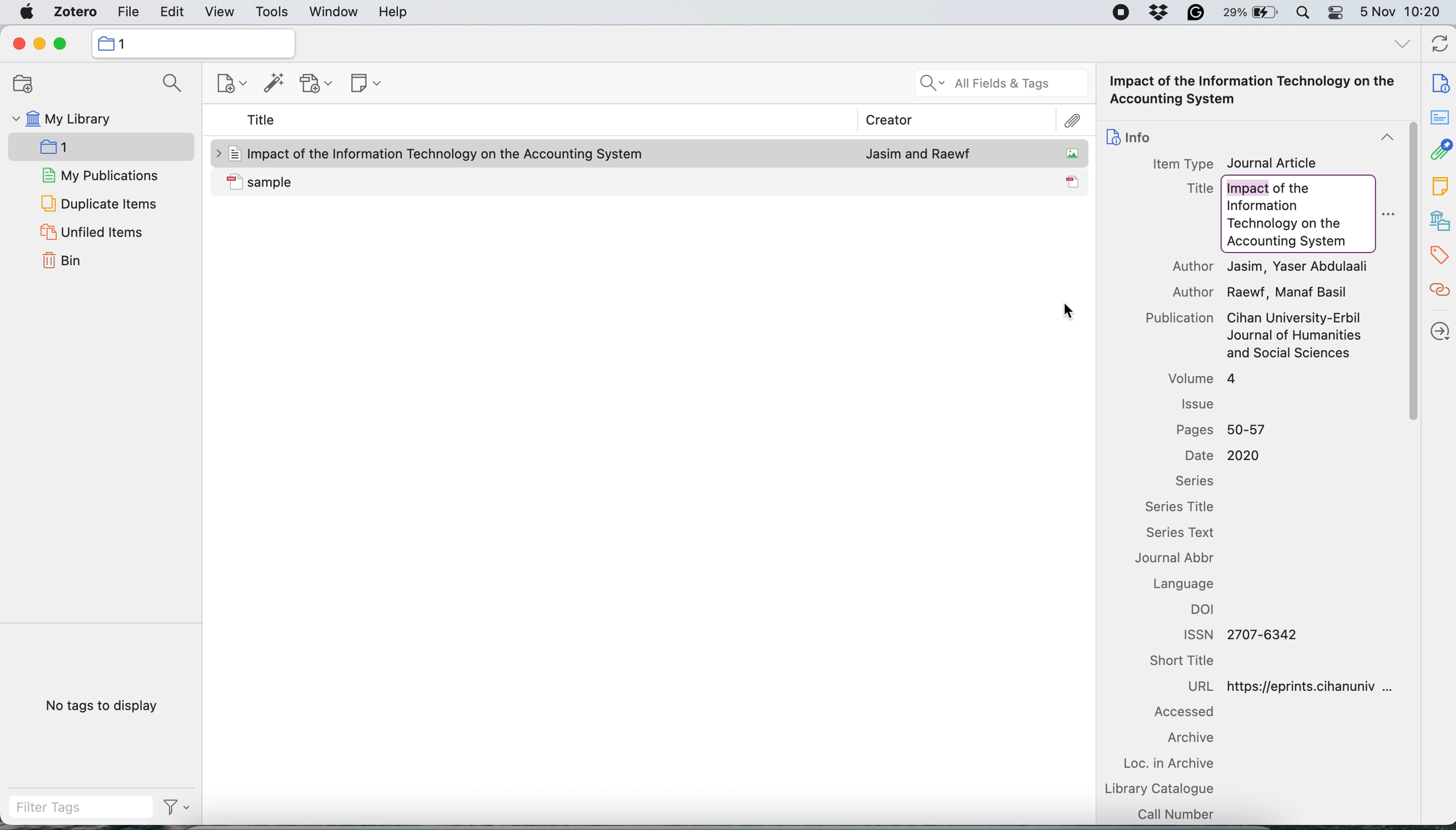  I want to click on icon, so click(1113, 136).